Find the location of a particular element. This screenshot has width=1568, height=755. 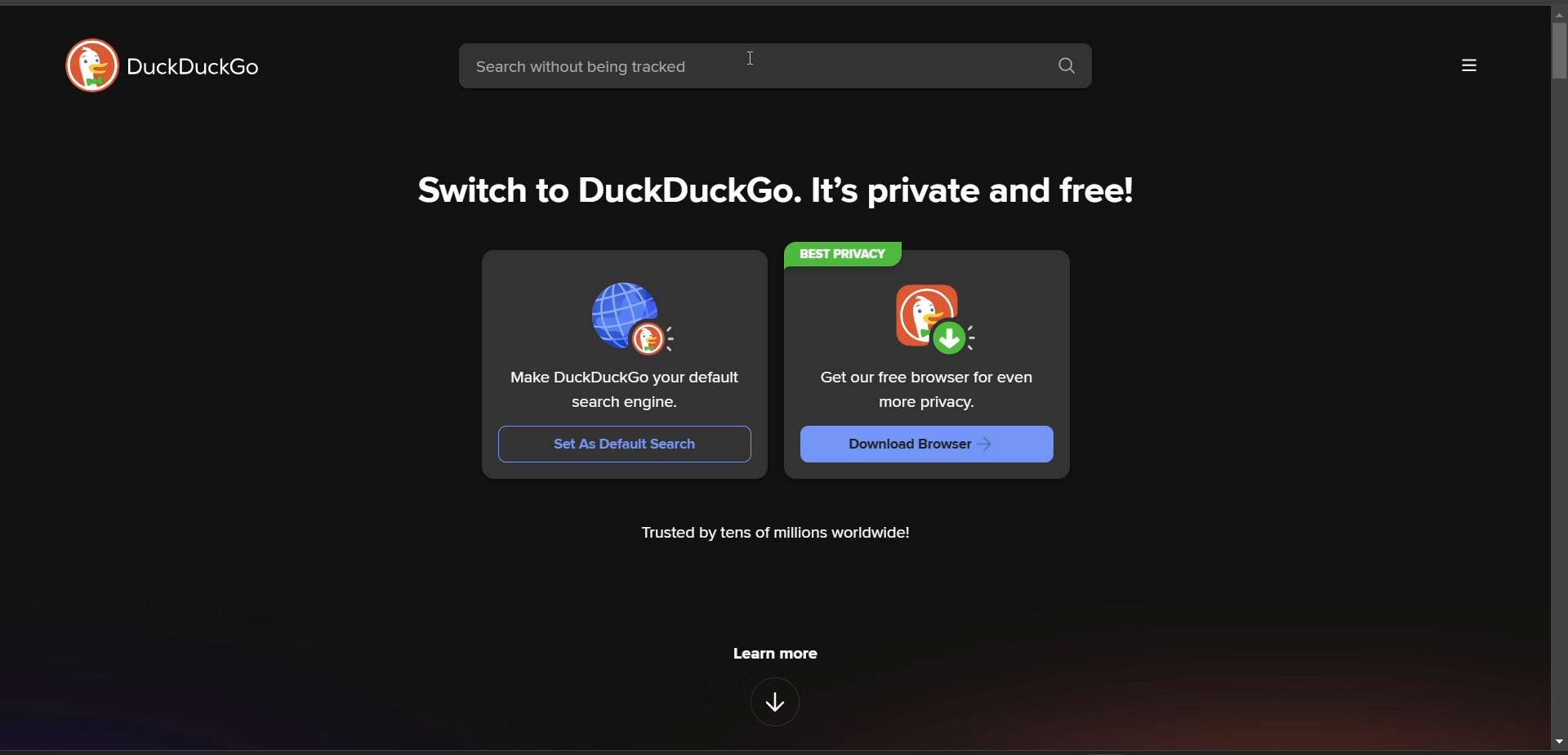

DuckDuckGo Logo is located at coordinates (78, 66).